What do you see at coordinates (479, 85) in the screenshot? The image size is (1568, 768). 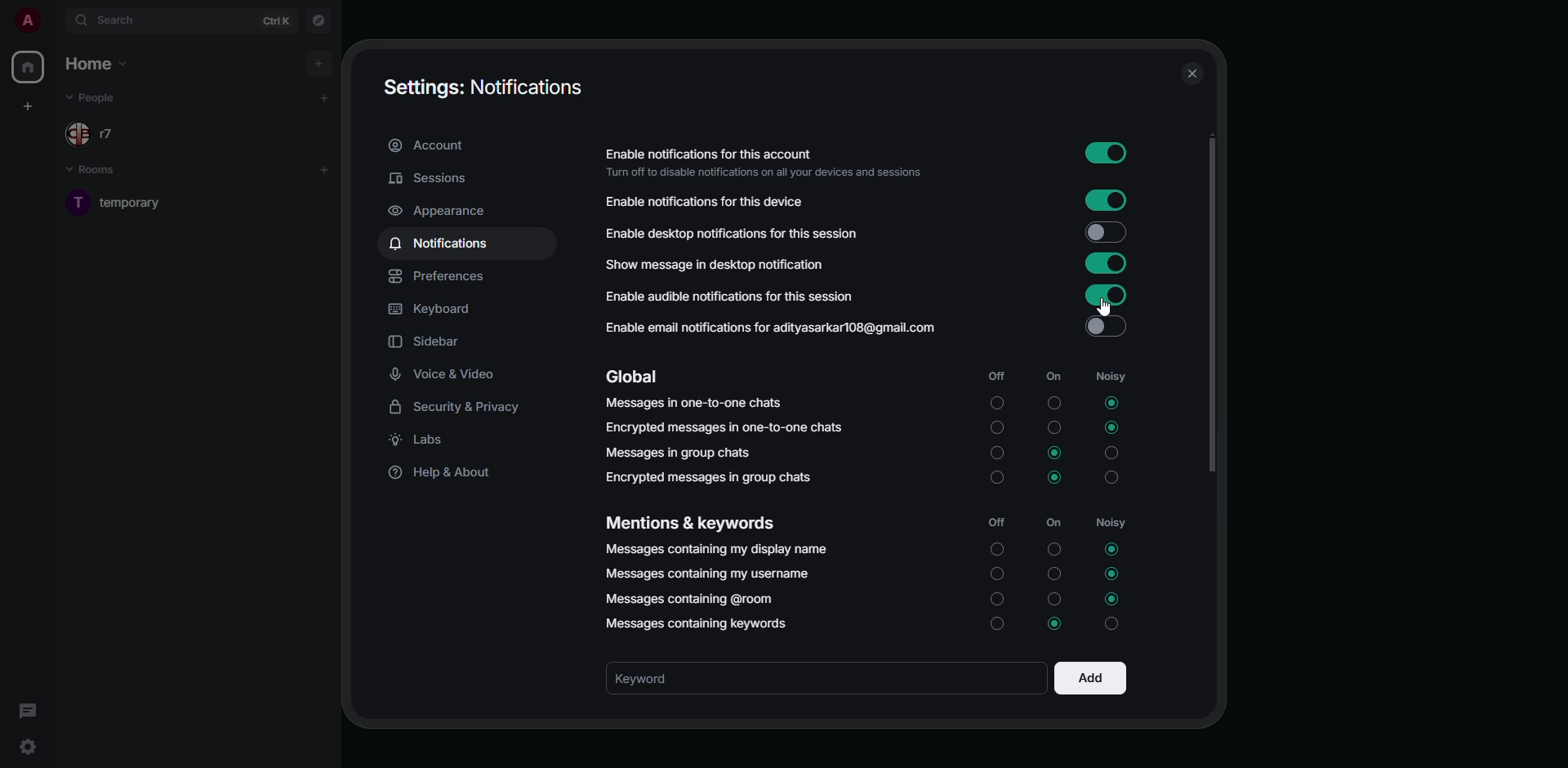 I see `settings notifications` at bounding box center [479, 85].